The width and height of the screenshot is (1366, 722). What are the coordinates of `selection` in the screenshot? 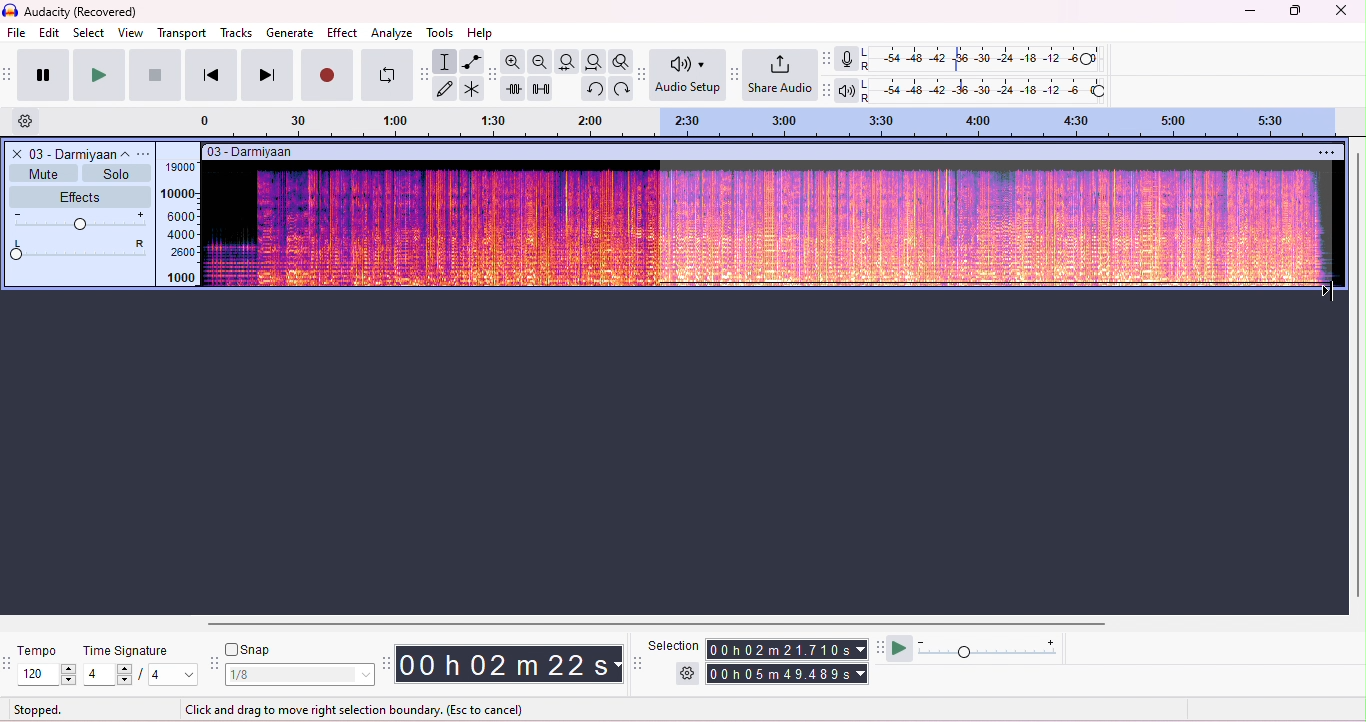 It's located at (446, 61).